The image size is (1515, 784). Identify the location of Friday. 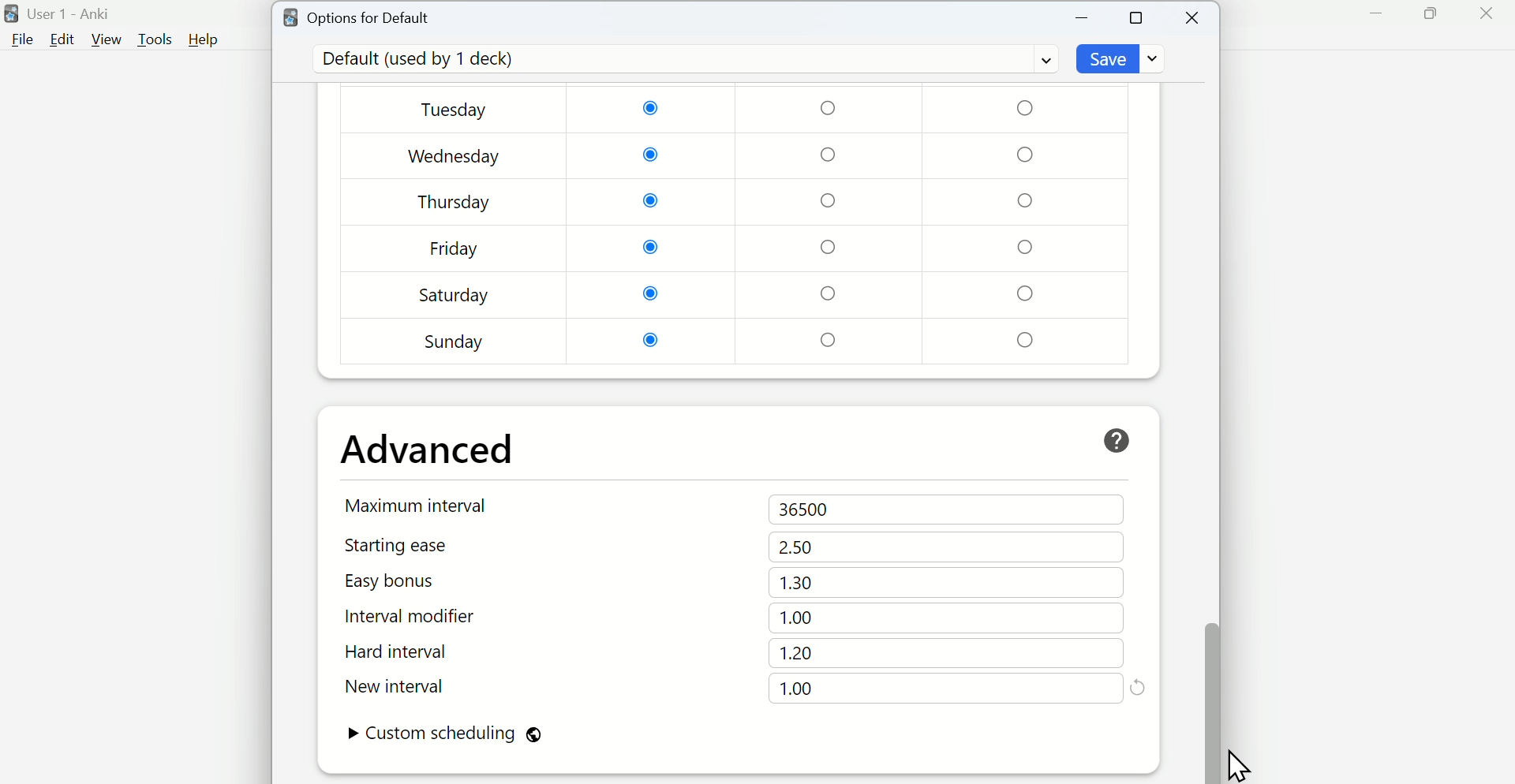
(454, 252).